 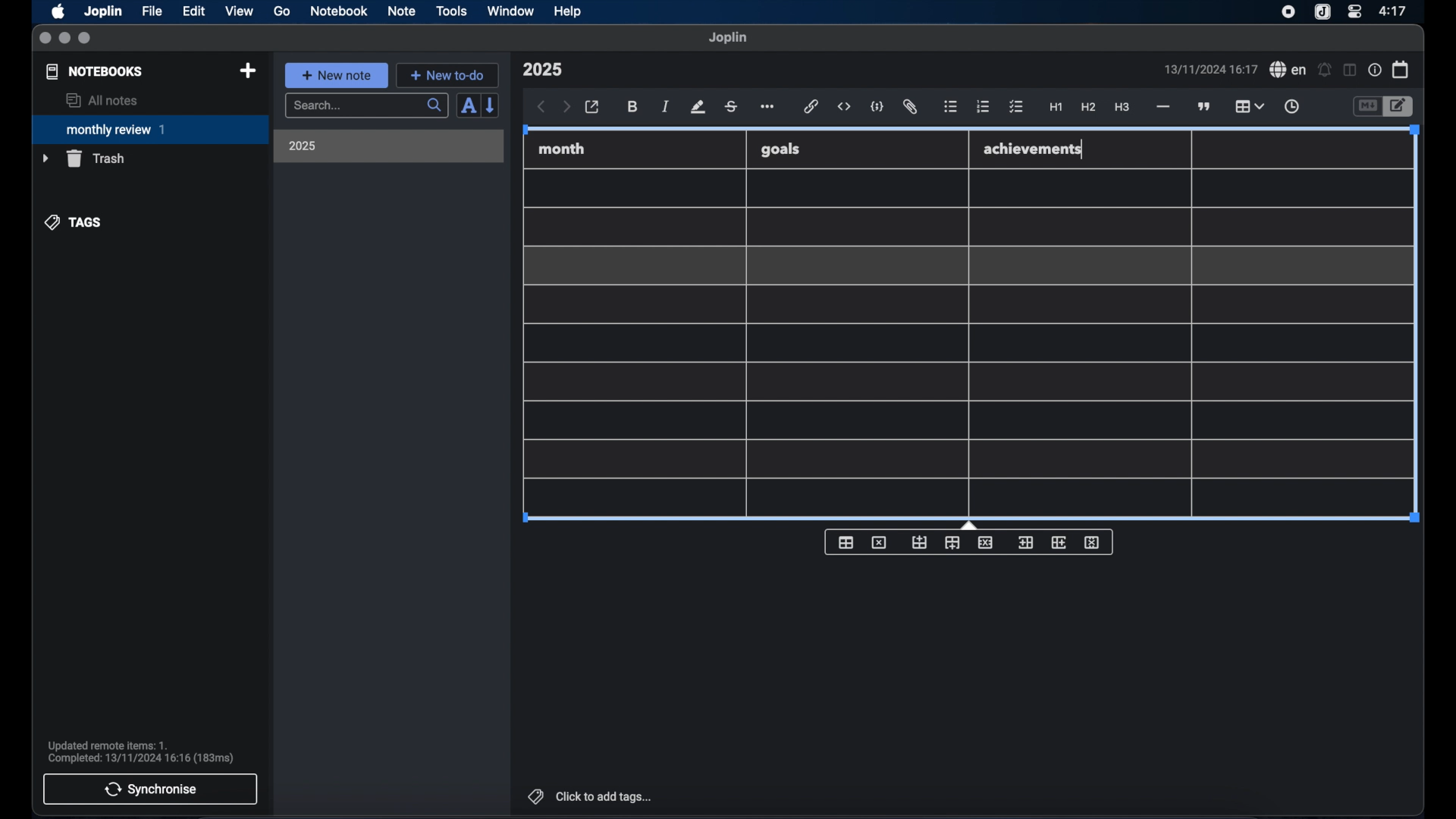 I want to click on heading 2, so click(x=1089, y=108).